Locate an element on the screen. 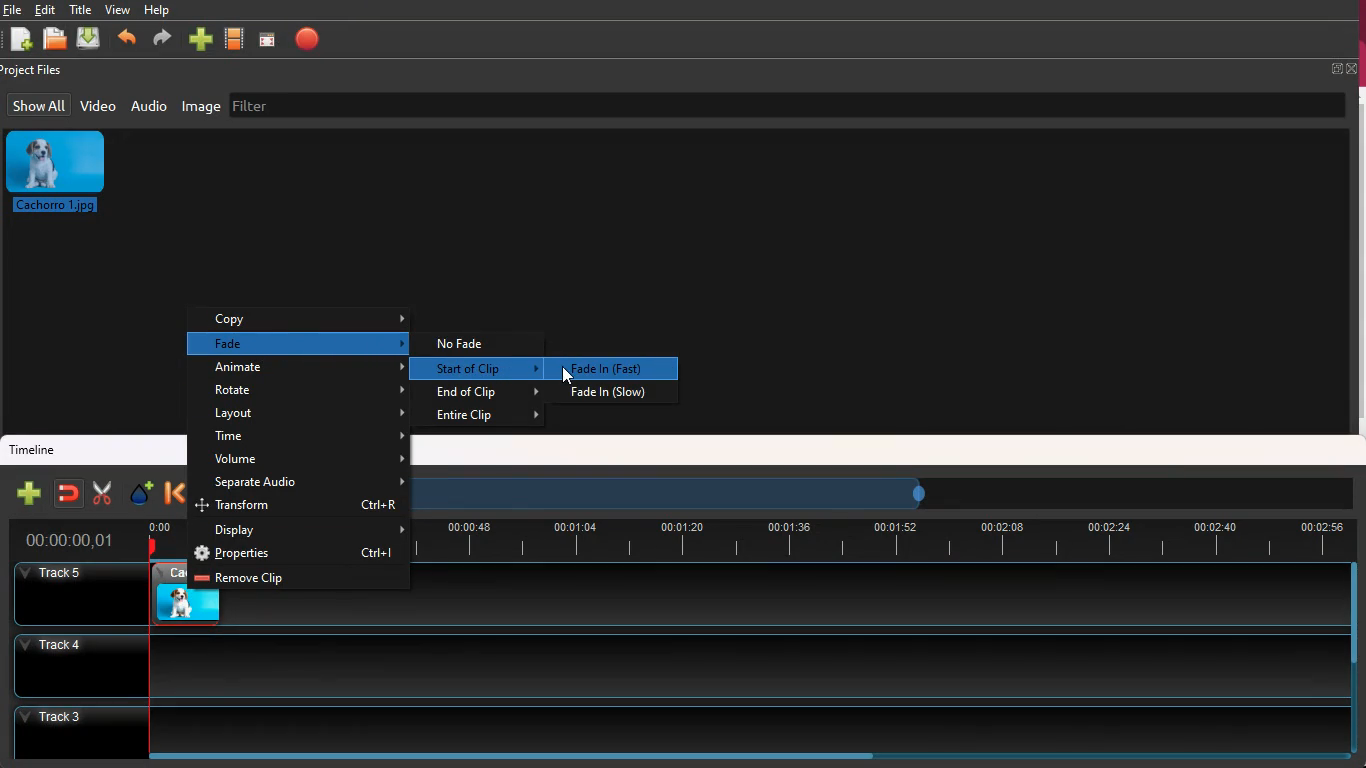 The image size is (1366, 768). title is located at coordinates (81, 8).